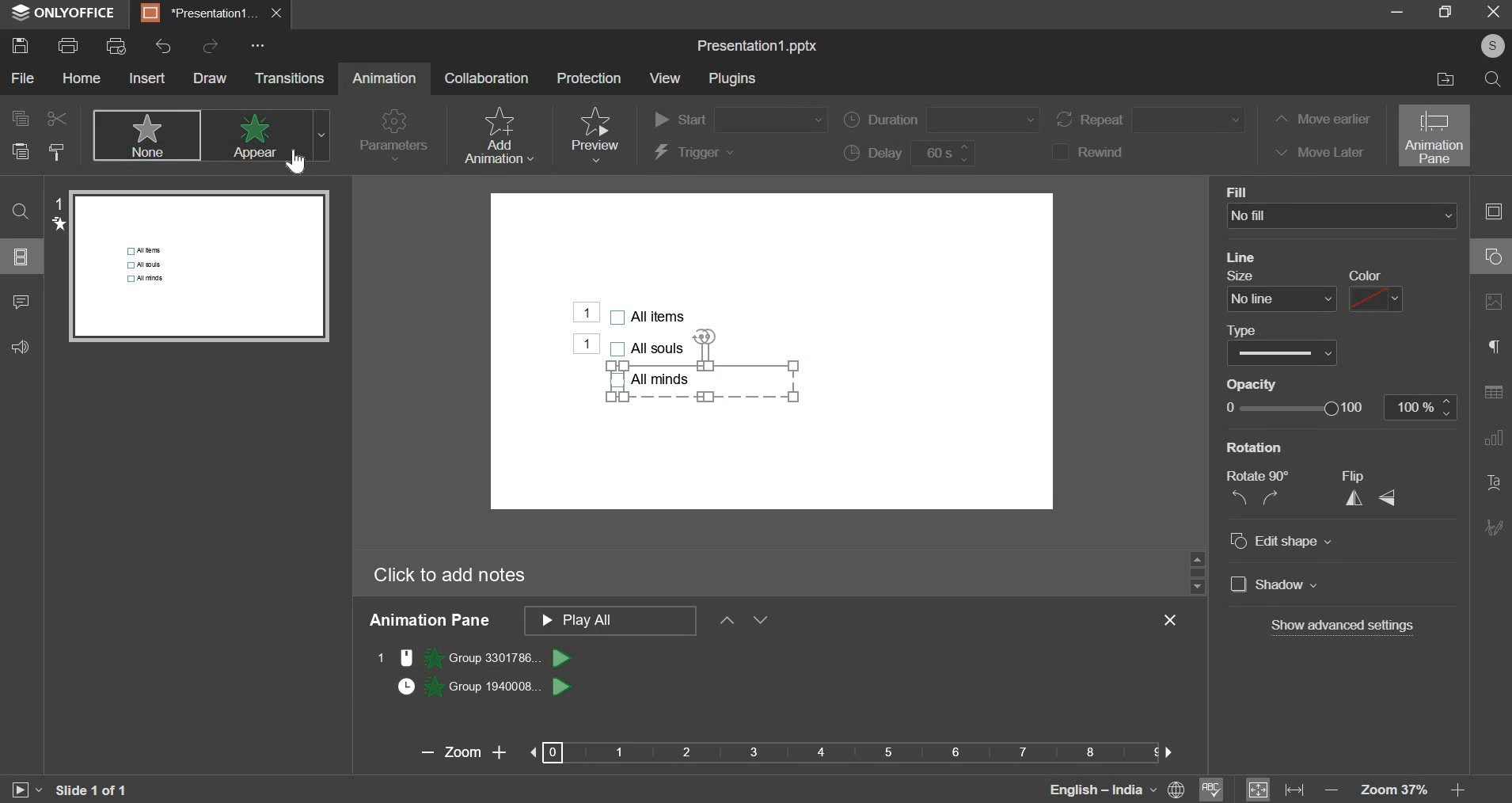 This screenshot has width=1512, height=803. What do you see at coordinates (1281, 353) in the screenshot?
I see `line type` at bounding box center [1281, 353].